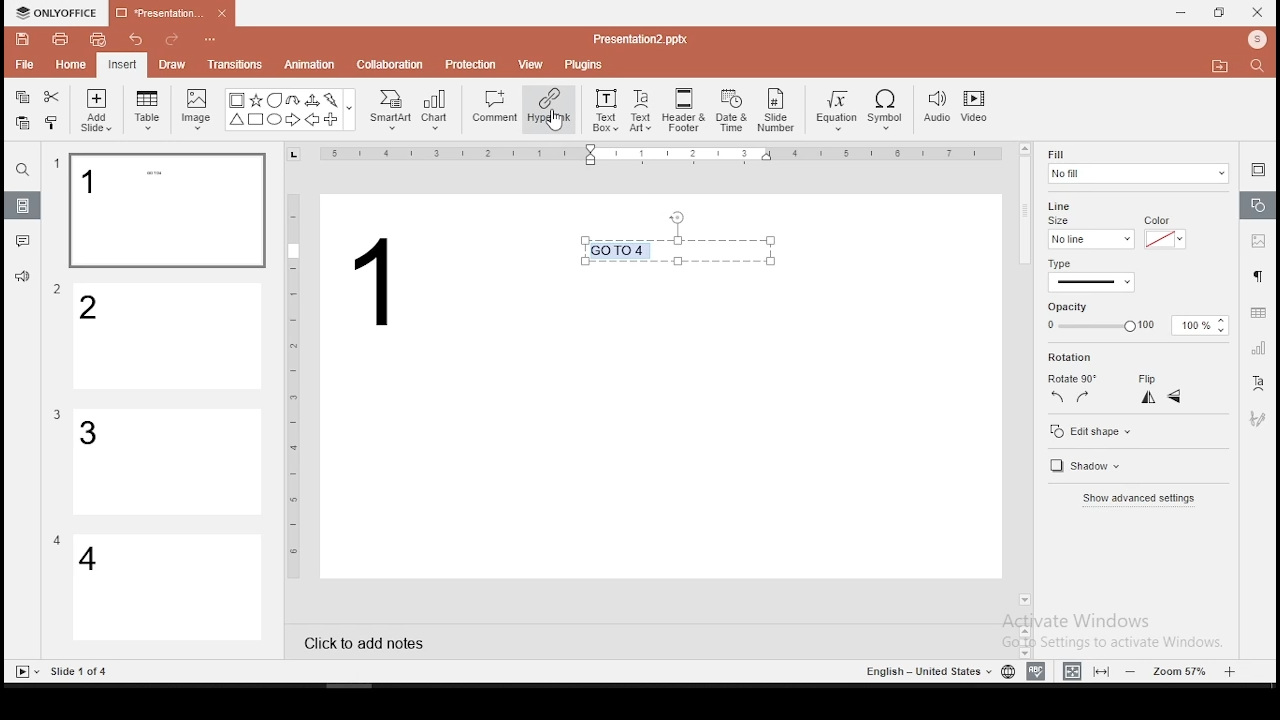  What do you see at coordinates (169, 15) in the screenshot?
I see `presentation` at bounding box center [169, 15].